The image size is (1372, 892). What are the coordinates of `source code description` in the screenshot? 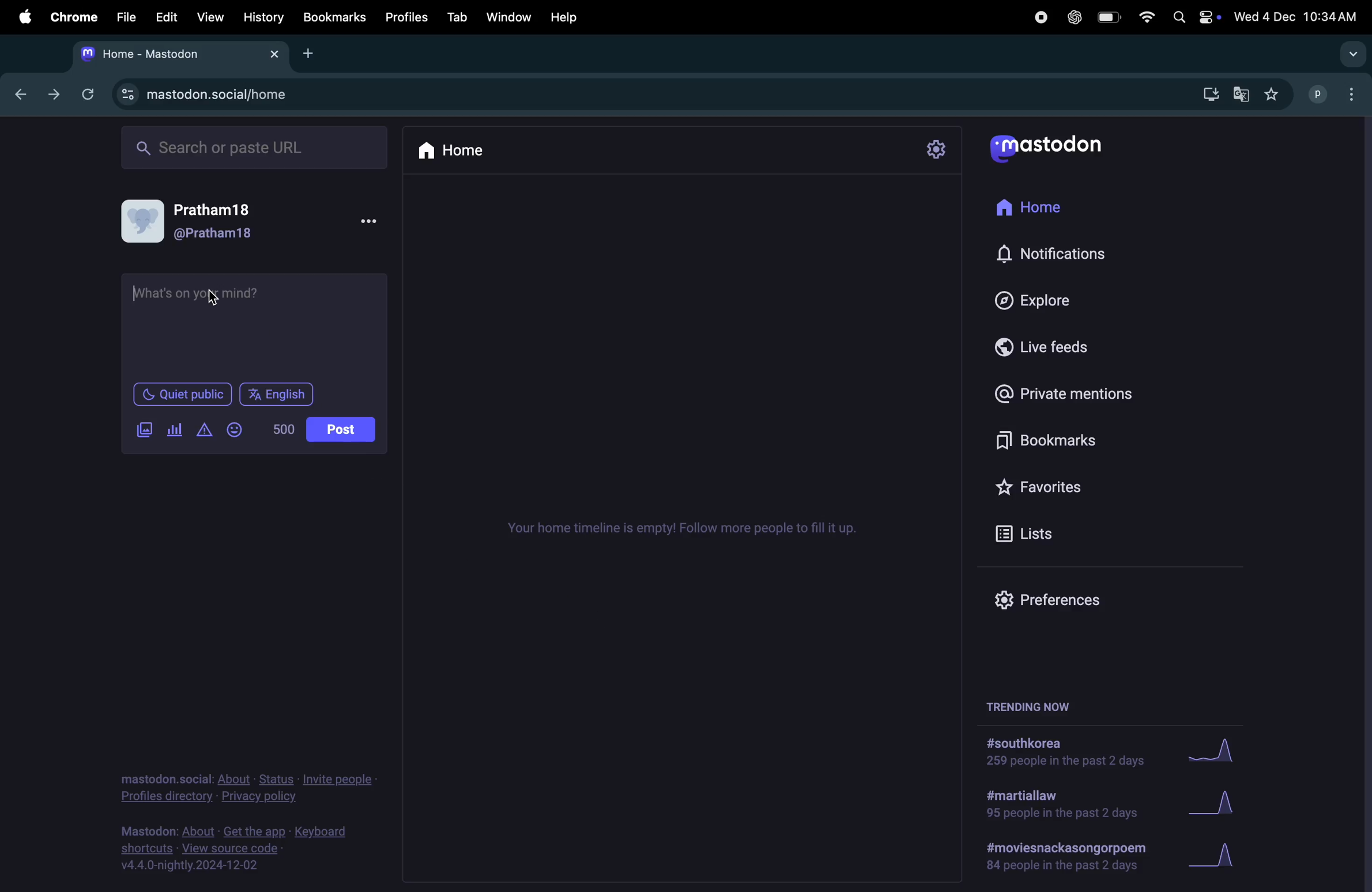 It's located at (239, 848).